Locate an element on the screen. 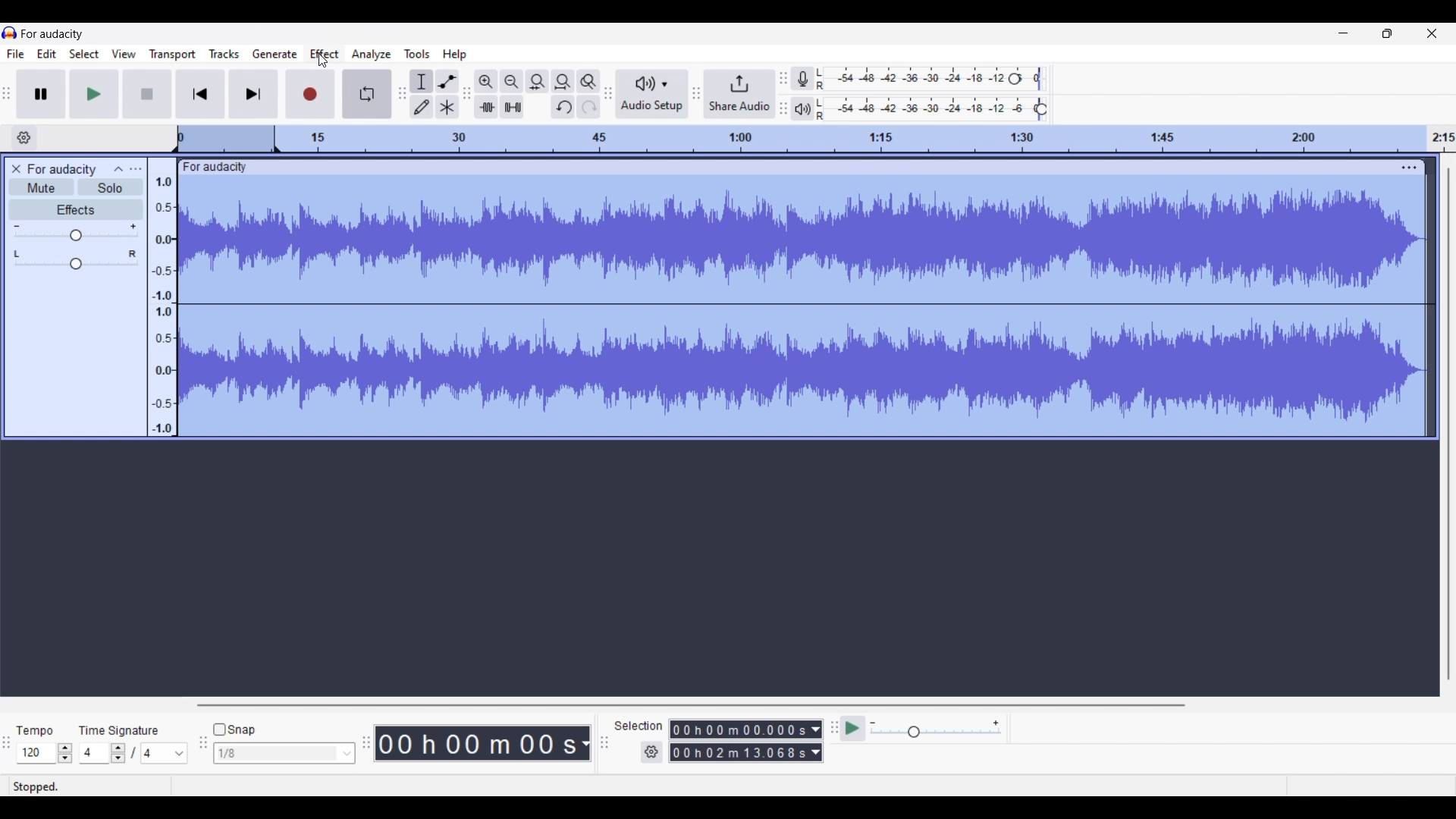 The width and height of the screenshot is (1456, 819). Recording level is located at coordinates (915, 79).